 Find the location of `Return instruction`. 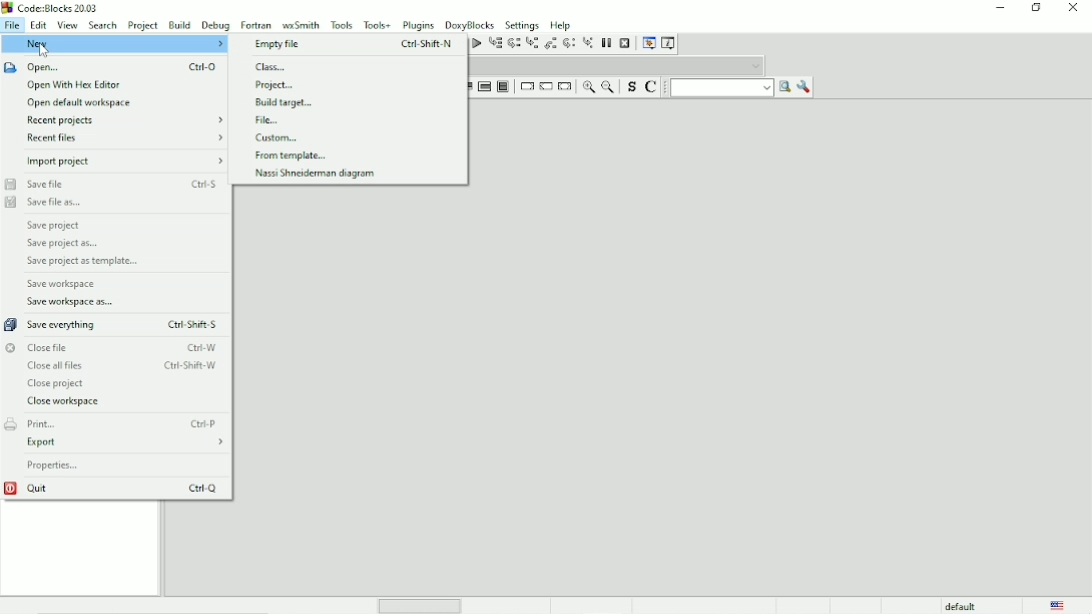

Return instruction is located at coordinates (565, 87).